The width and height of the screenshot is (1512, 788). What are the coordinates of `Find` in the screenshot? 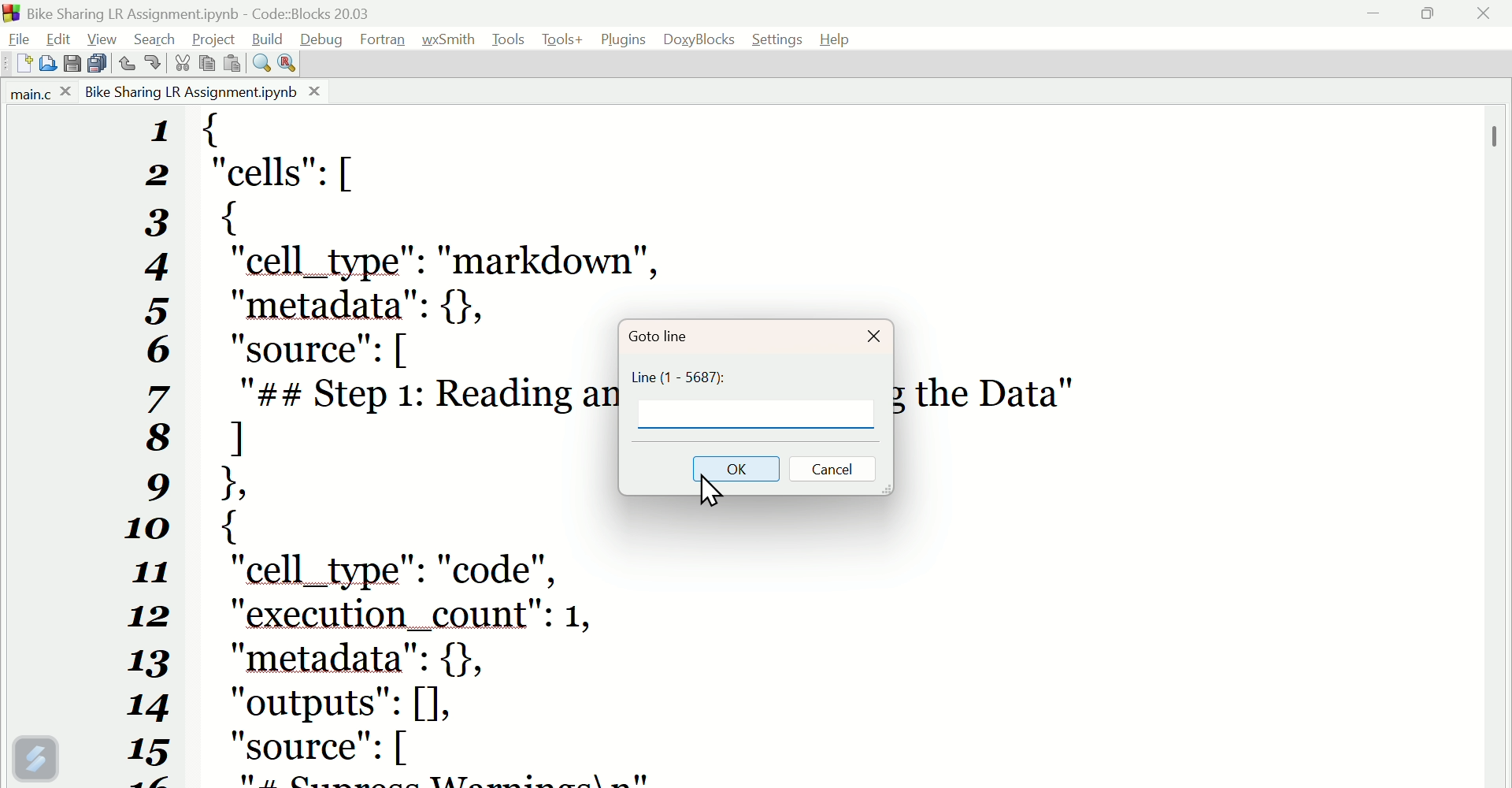 It's located at (258, 62).